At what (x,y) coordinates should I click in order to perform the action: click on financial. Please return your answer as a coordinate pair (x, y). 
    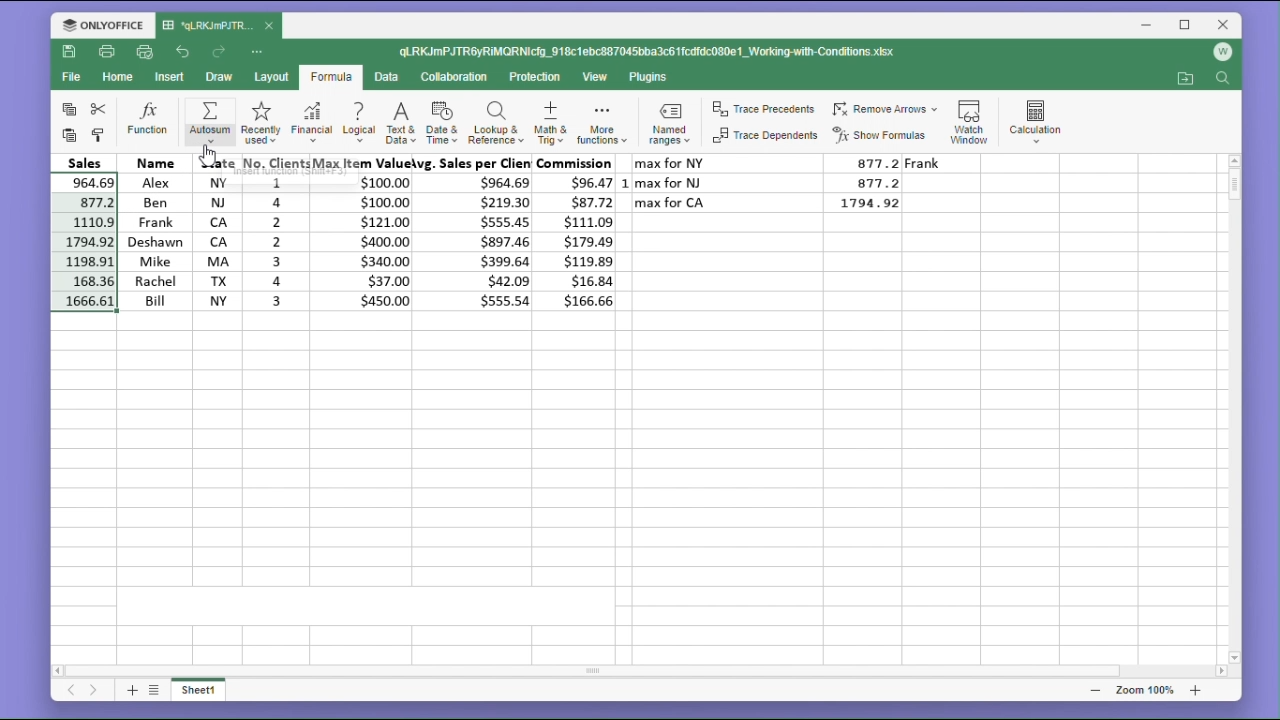
    Looking at the image, I should click on (310, 124).